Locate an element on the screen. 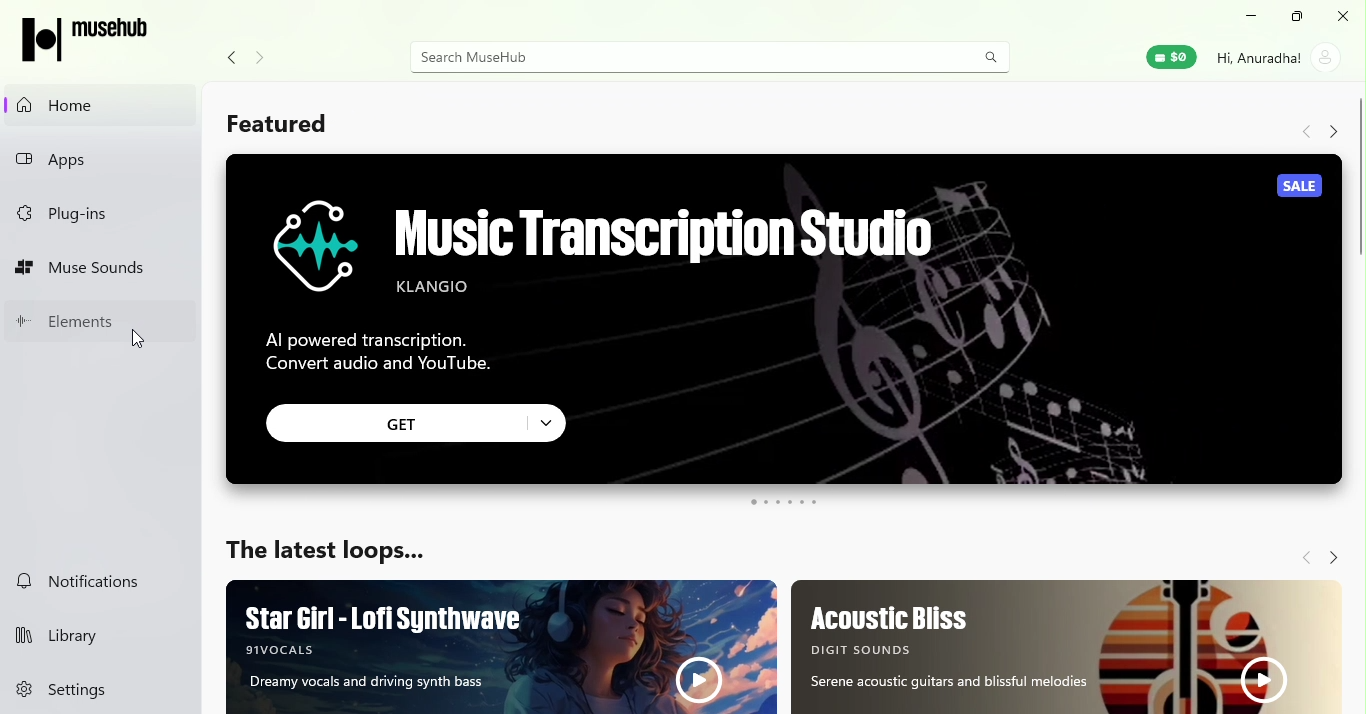 The image size is (1366, 714). Muse sounds is located at coordinates (102, 269).